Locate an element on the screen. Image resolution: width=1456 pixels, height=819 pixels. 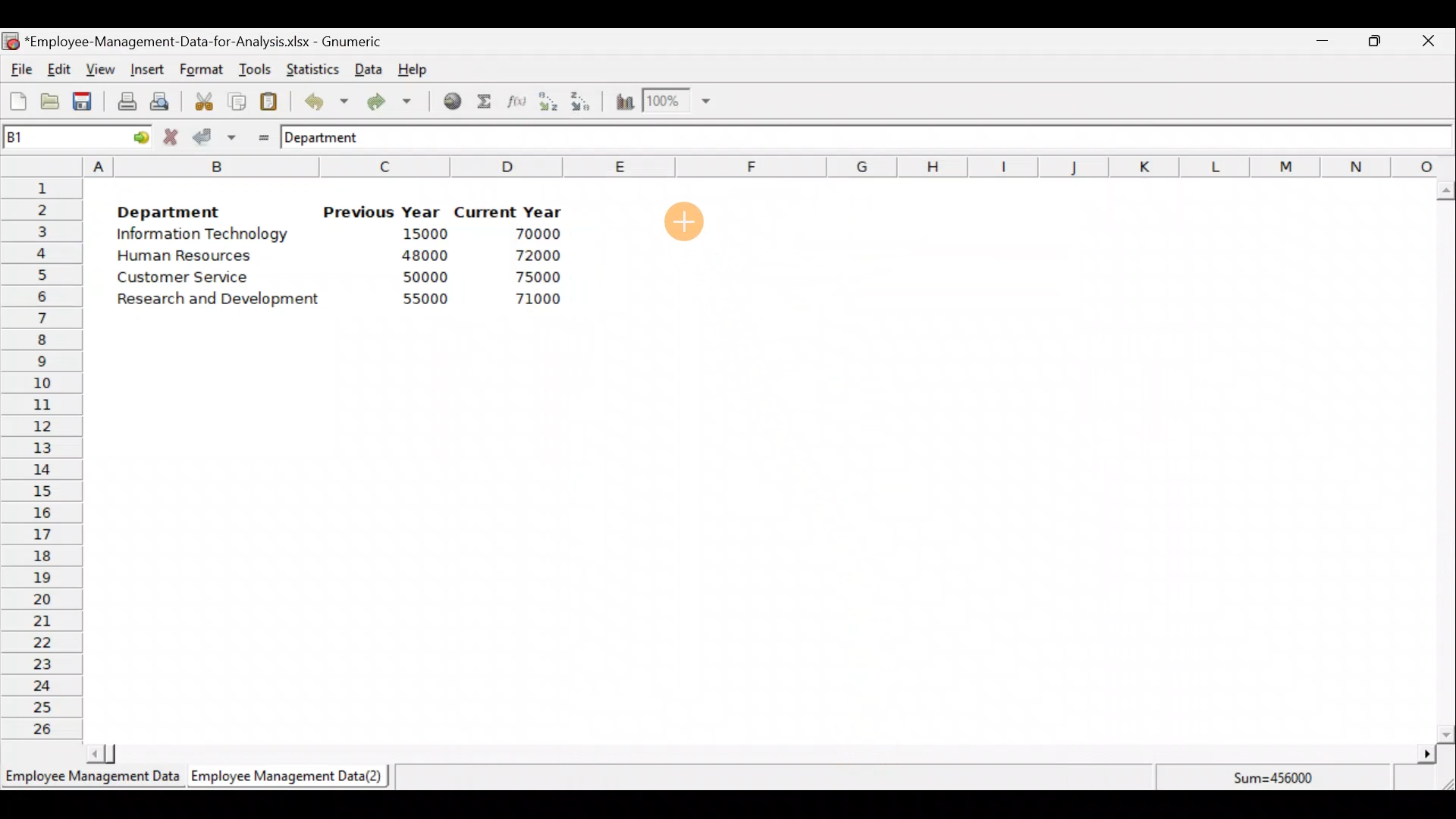
Edit is located at coordinates (60, 71).